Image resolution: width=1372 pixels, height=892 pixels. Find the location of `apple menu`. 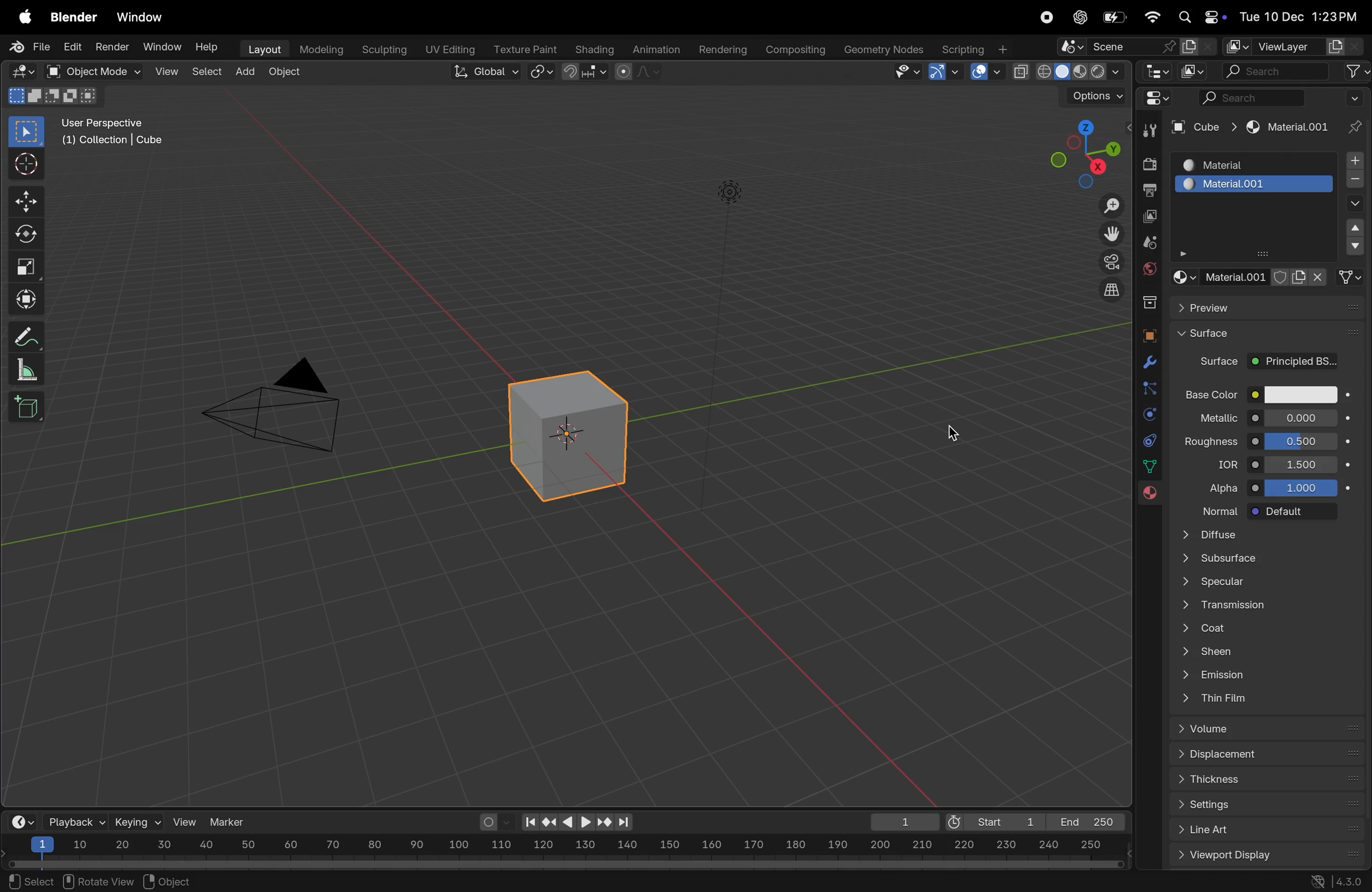

apple menu is located at coordinates (20, 18).